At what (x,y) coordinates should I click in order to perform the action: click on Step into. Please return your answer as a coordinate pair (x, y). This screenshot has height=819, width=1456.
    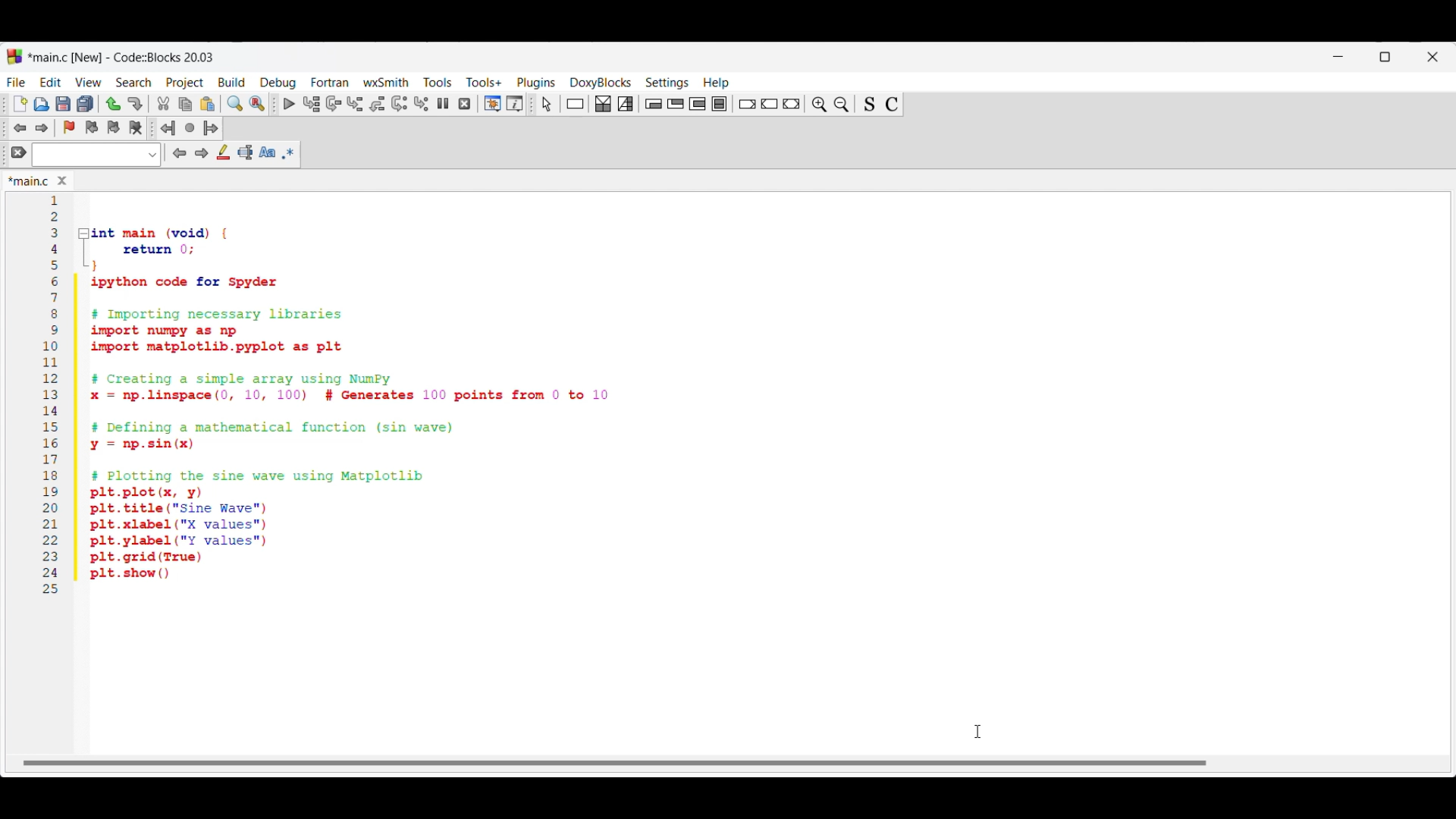
    Looking at the image, I should click on (355, 104).